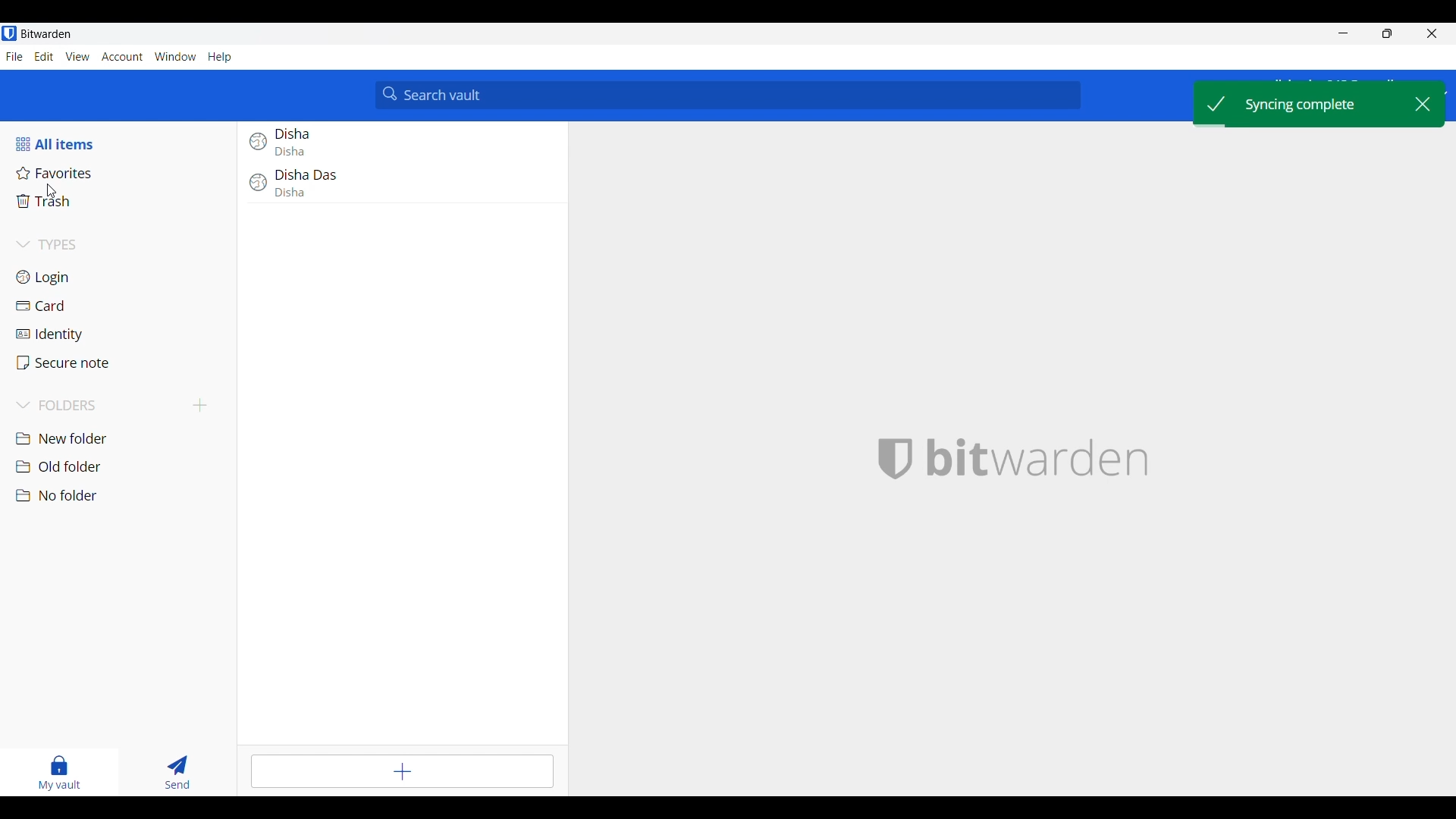 The width and height of the screenshot is (1456, 819). Describe the element at coordinates (1387, 33) in the screenshot. I see `Show interface in a smaller tab` at that location.